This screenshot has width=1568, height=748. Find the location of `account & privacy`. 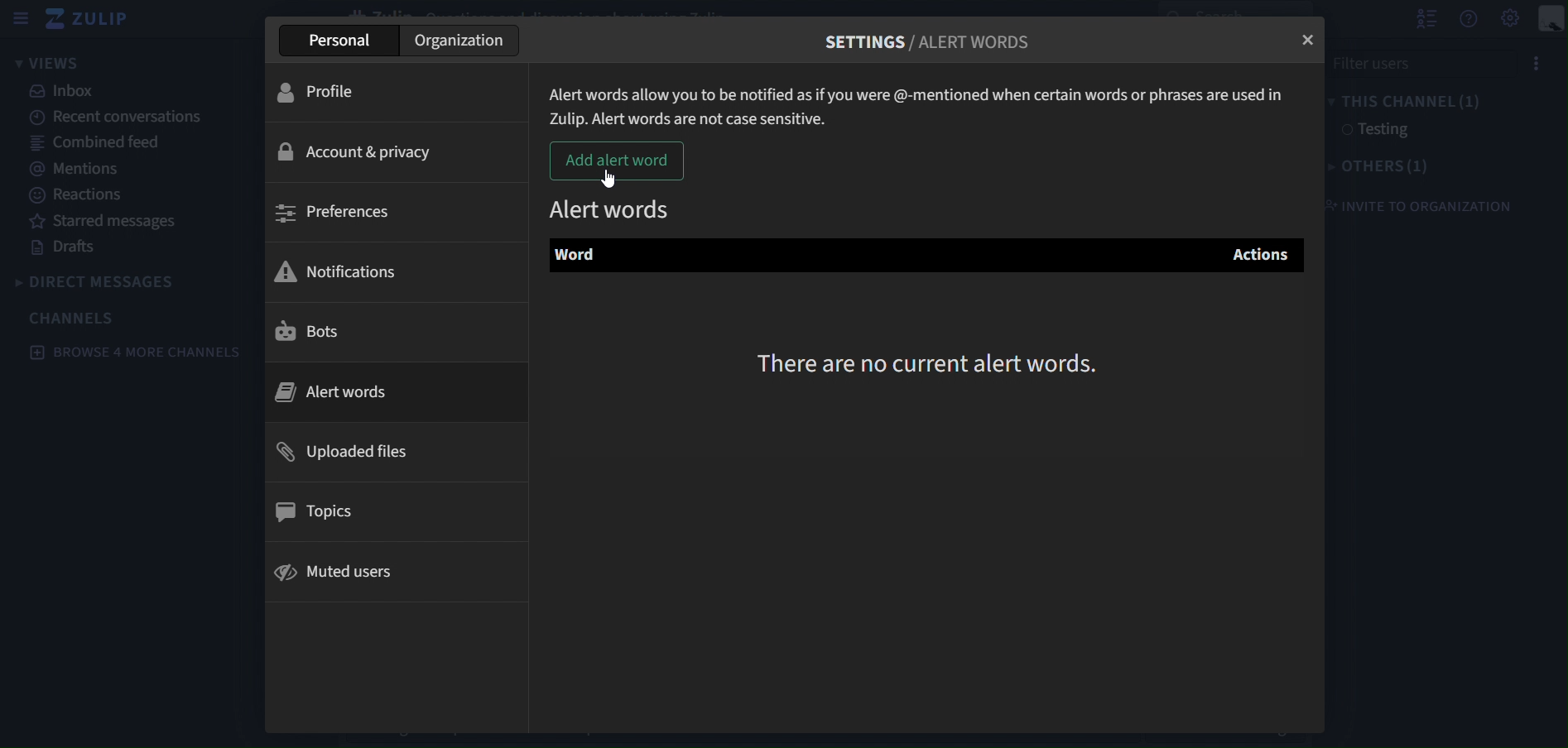

account & privacy is located at coordinates (362, 152).